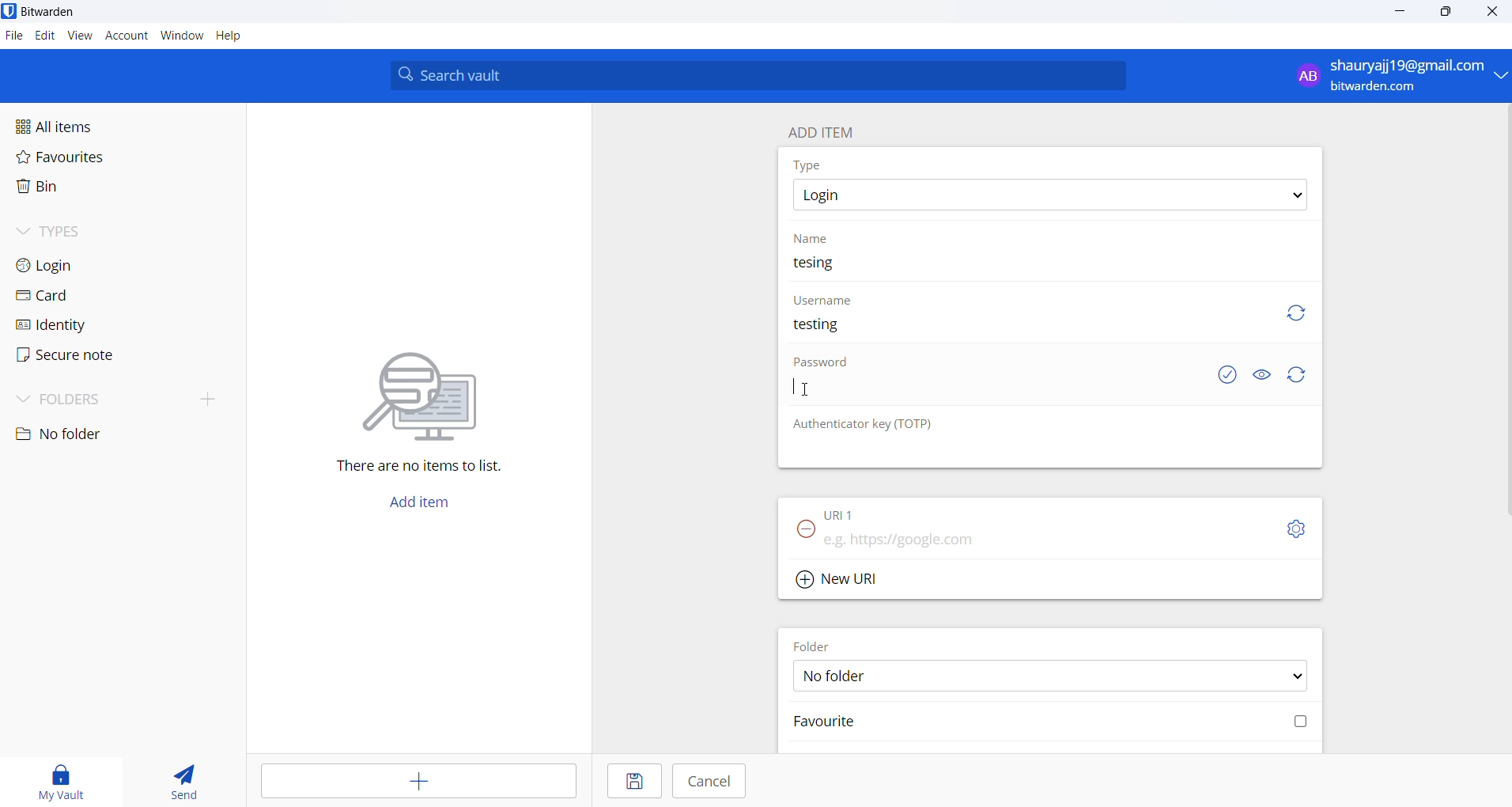 The image size is (1512, 807). What do you see at coordinates (1261, 375) in the screenshot?
I see `Hide and show password ` at bounding box center [1261, 375].